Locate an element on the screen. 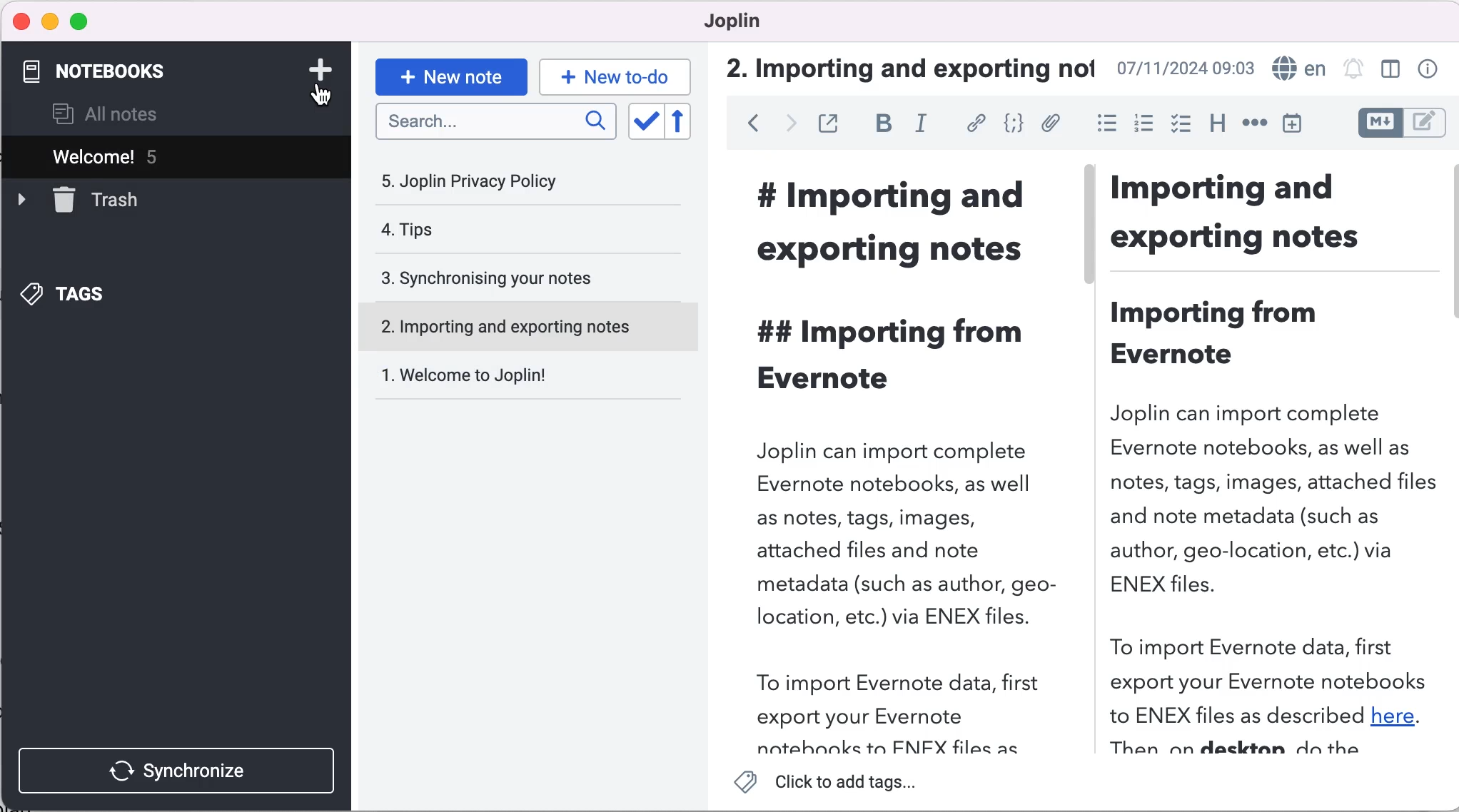 Image resolution: width=1459 pixels, height=812 pixels. trash is located at coordinates (101, 201).